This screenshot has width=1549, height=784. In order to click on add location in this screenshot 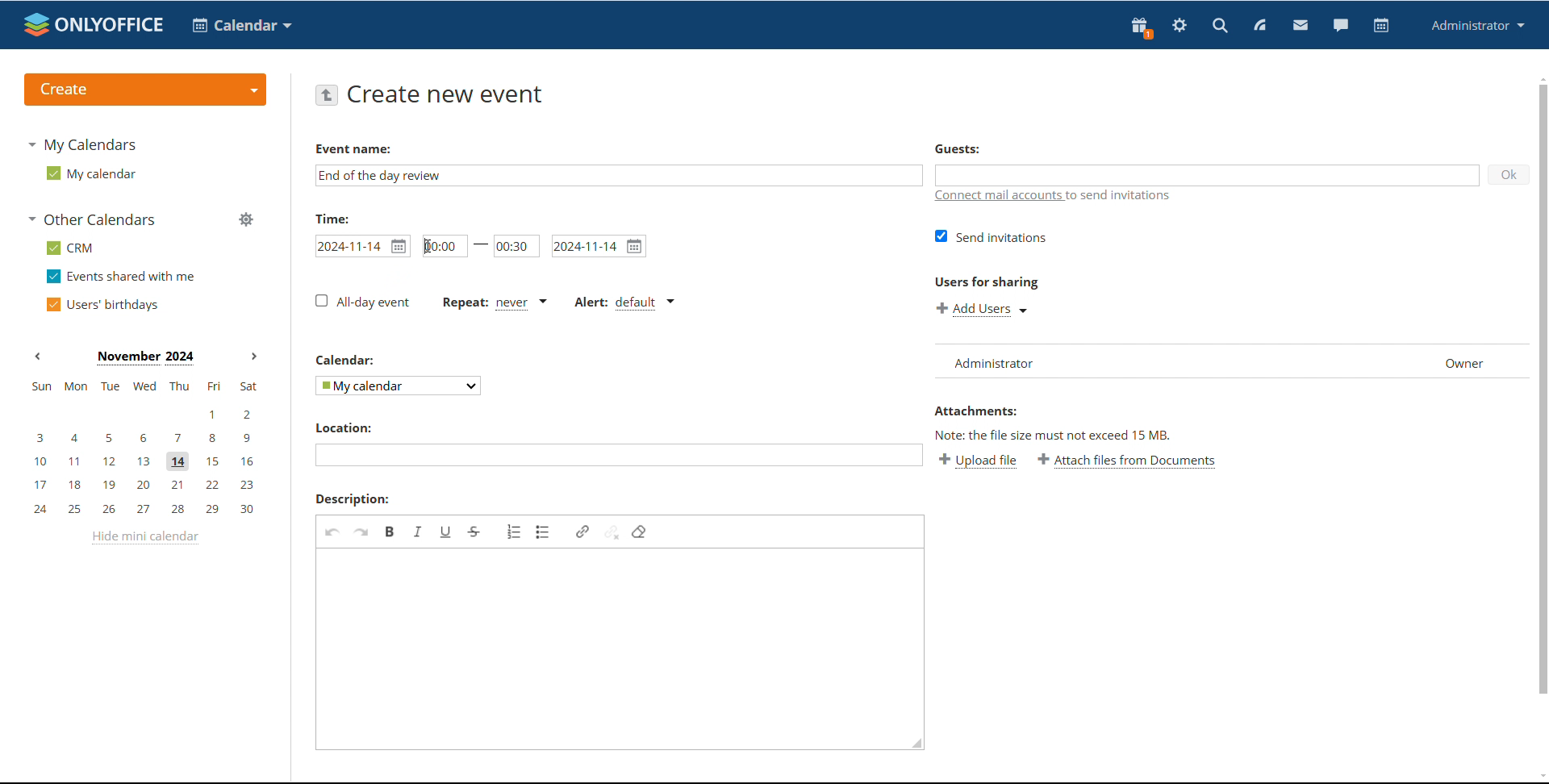, I will do `click(618, 455)`.